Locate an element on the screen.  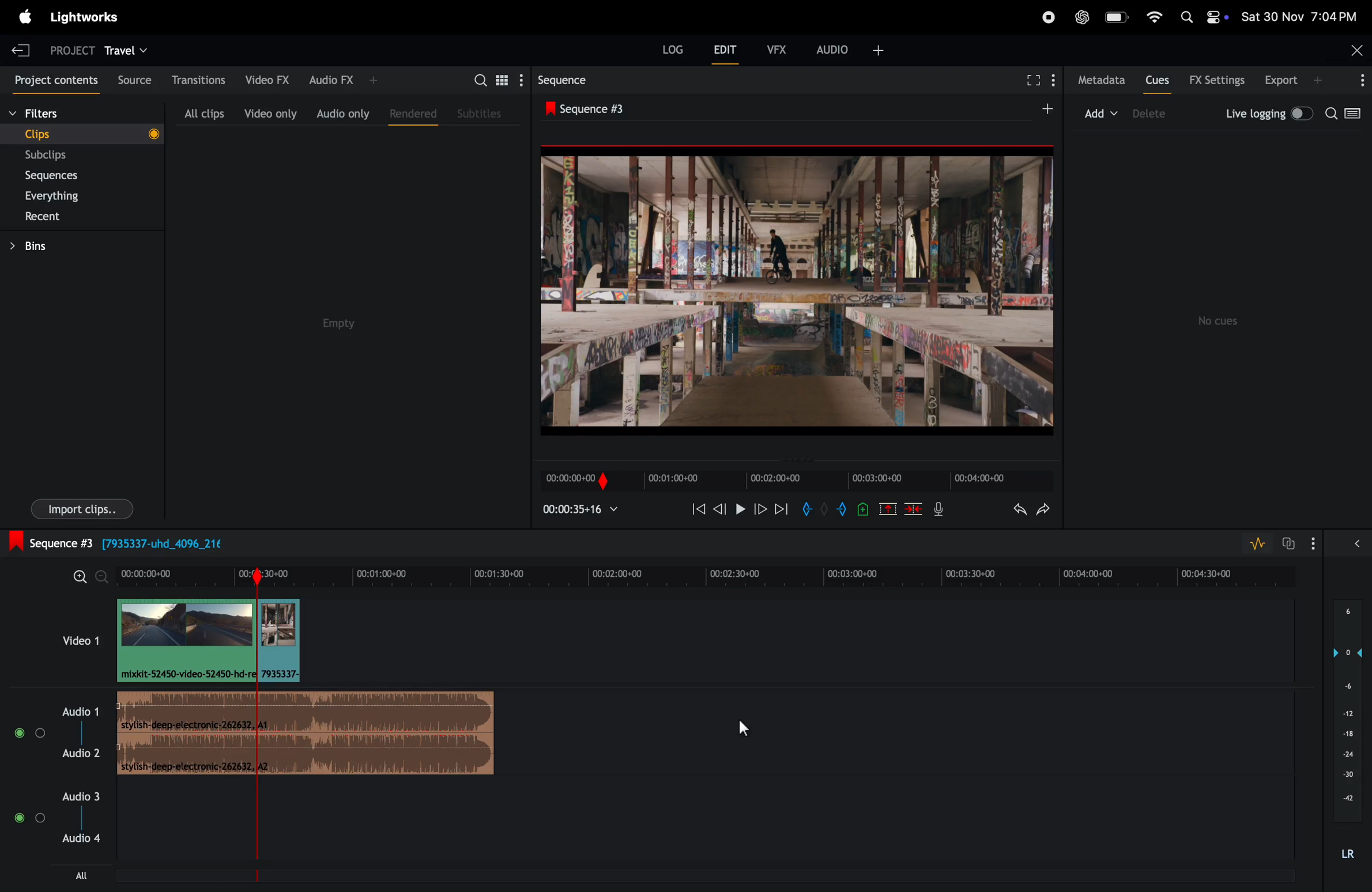
Sat 30 Nov 7:04PM is located at coordinates (1305, 16).